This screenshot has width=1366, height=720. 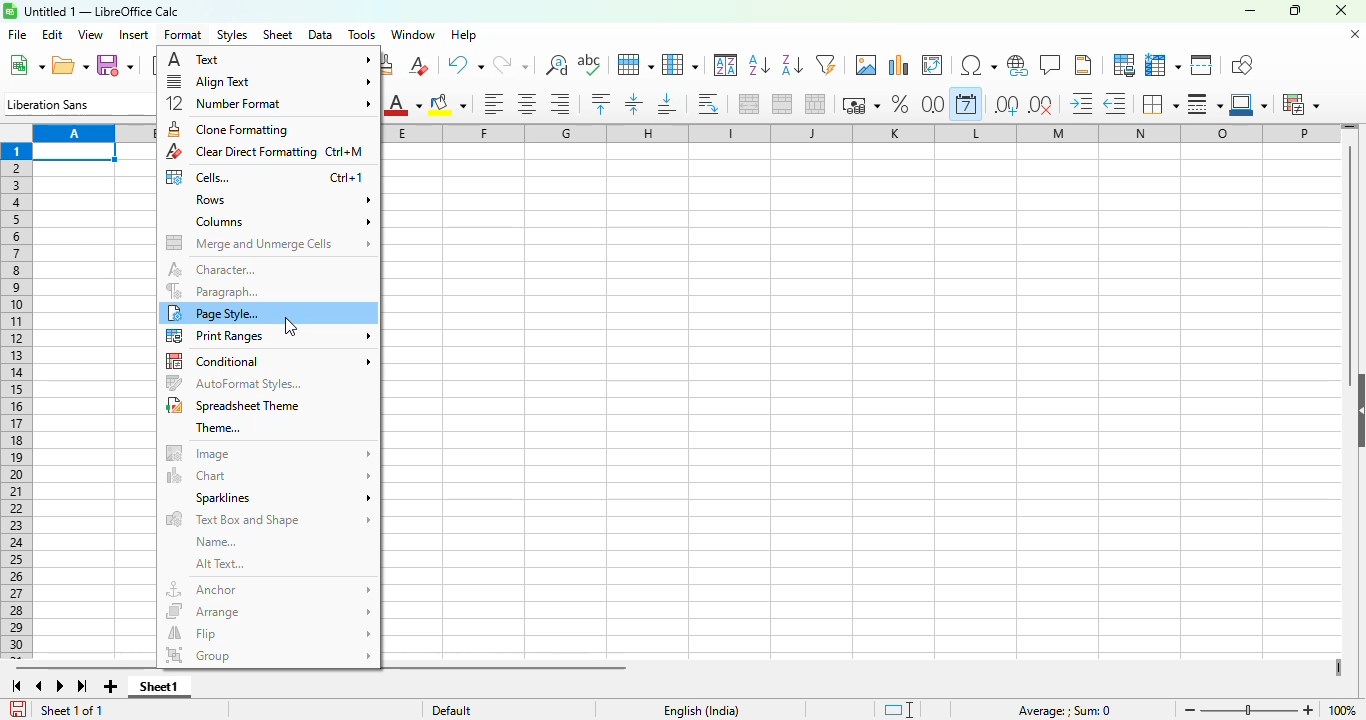 What do you see at coordinates (81, 668) in the screenshot?
I see `horizontal scroll bar` at bounding box center [81, 668].